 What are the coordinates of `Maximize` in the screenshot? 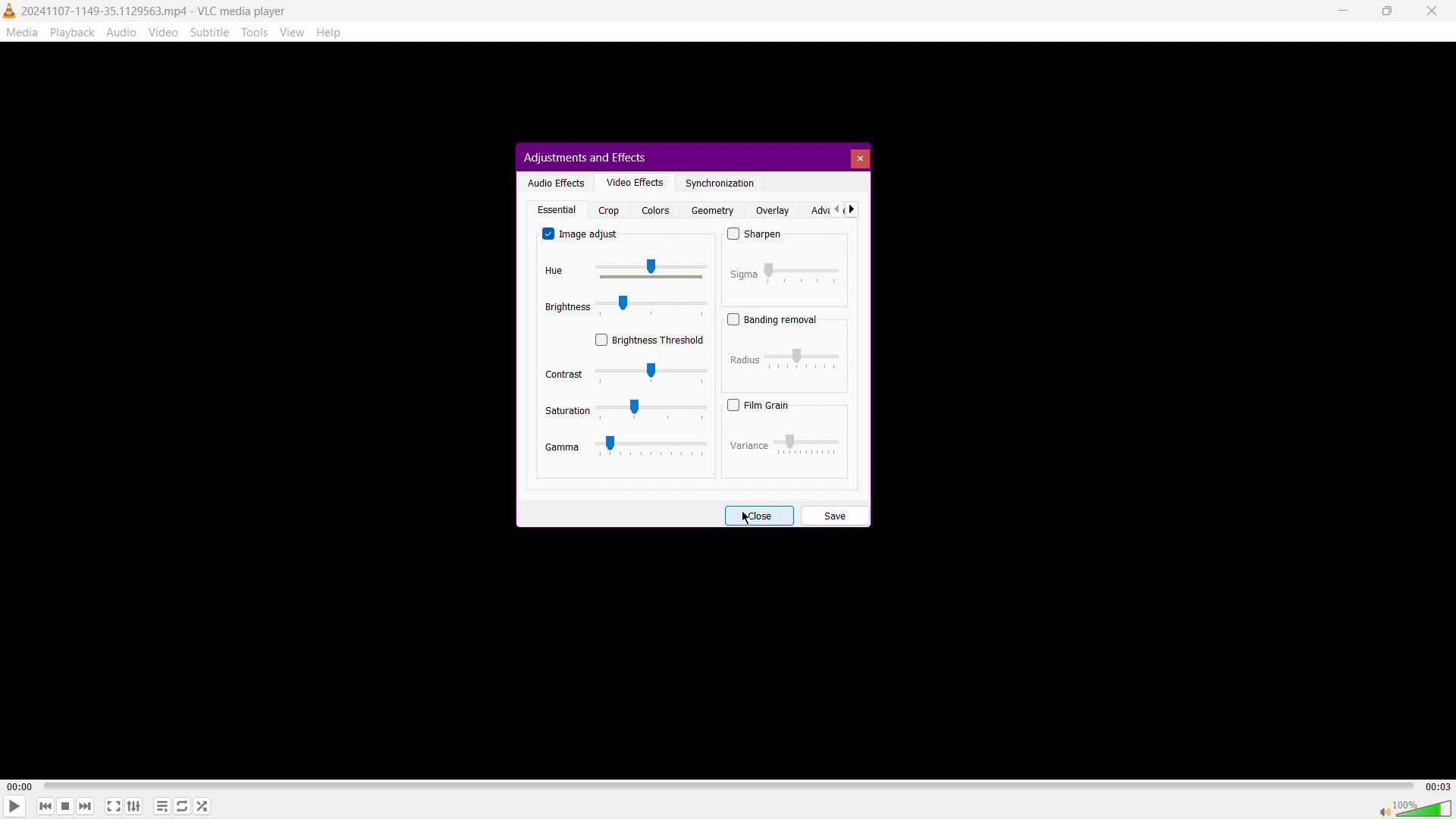 It's located at (1387, 11).